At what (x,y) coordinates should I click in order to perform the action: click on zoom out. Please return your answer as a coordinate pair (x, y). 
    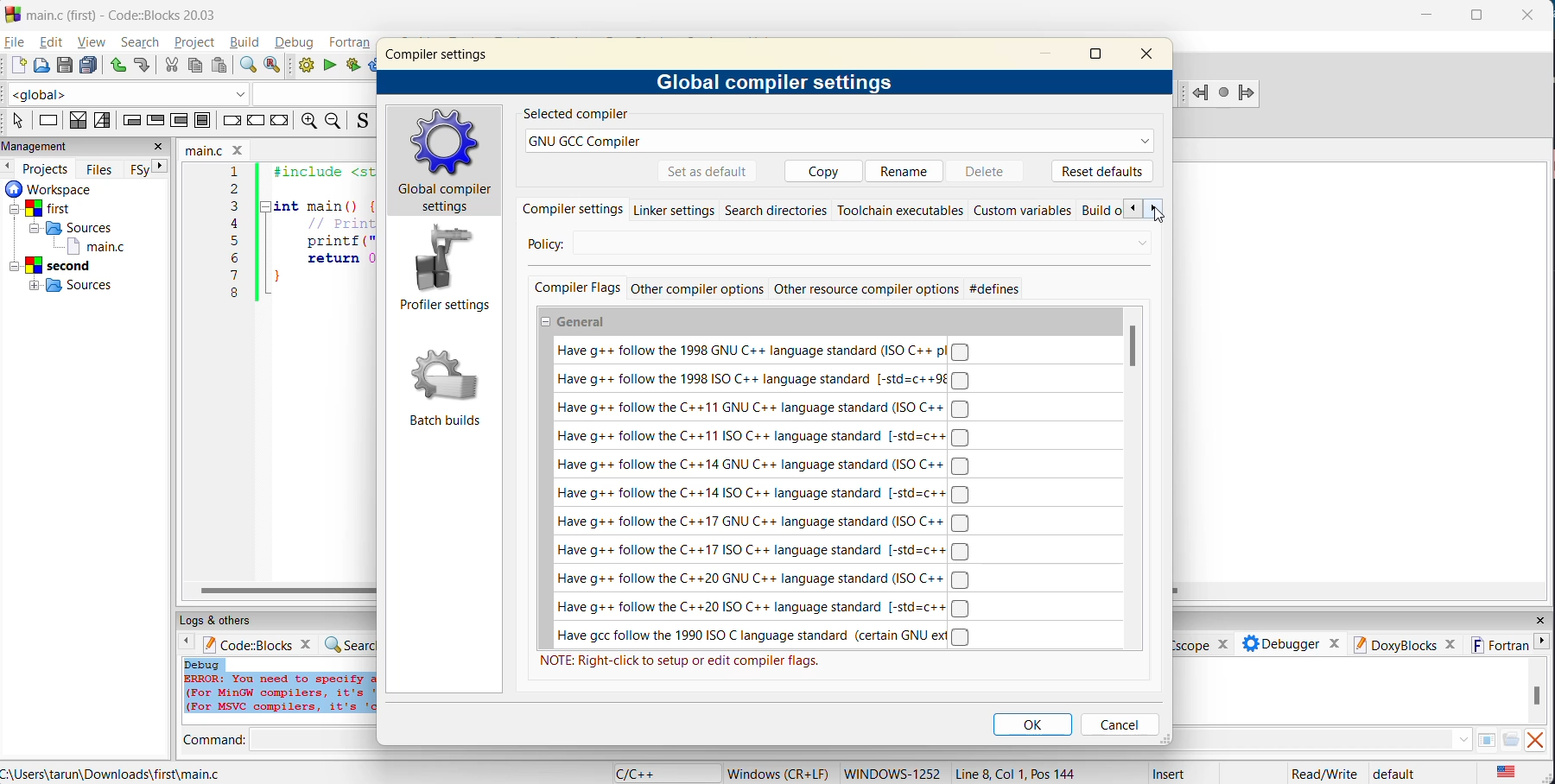
    Looking at the image, I should click on (333, 121).